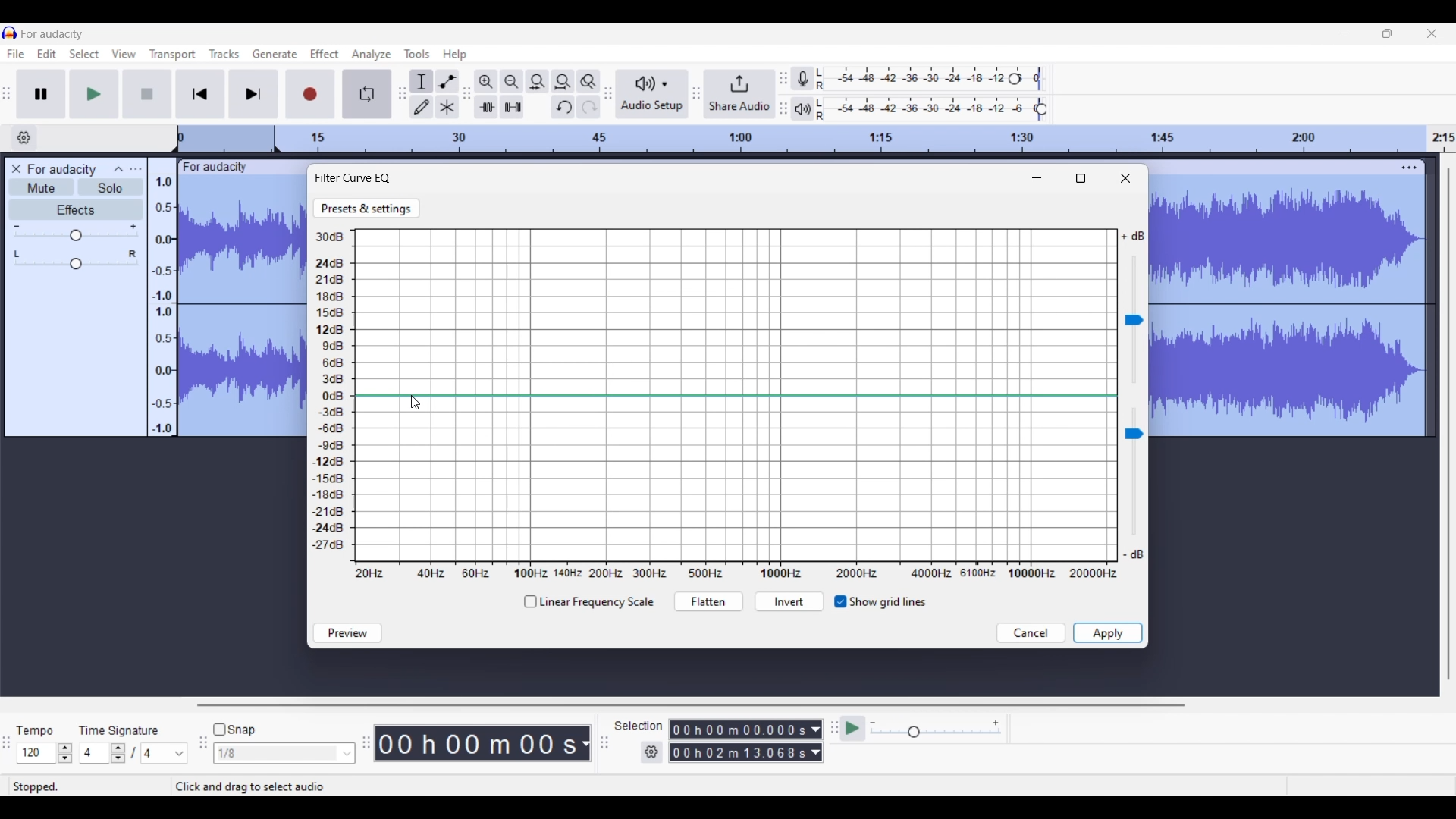  What do you see at coordinates (133, 254) in the screenshot?
I see `Pan right` at bounding box center [133, 254].